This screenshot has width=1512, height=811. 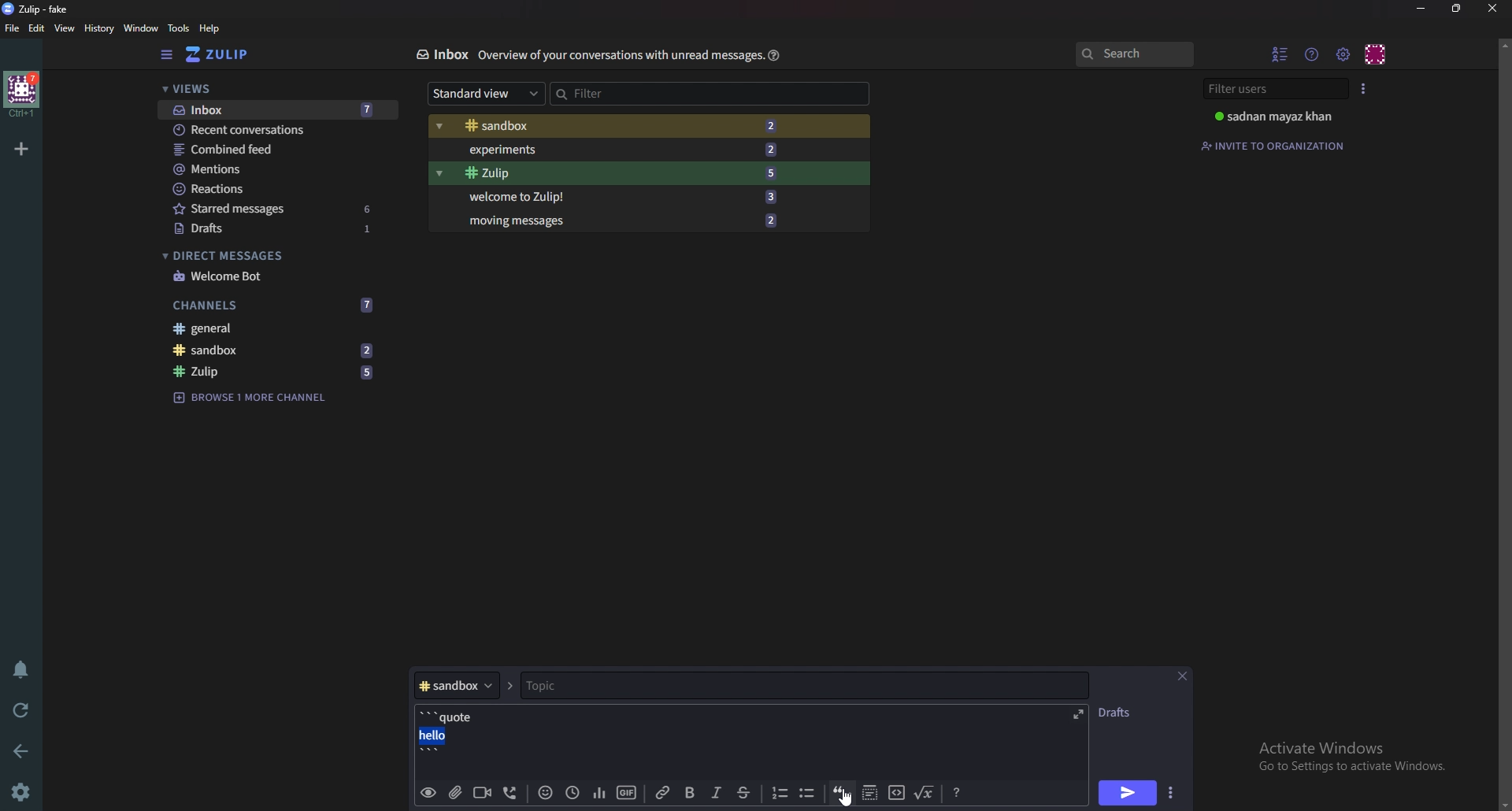 What do you see at coordinates (1280, 52) in the screenshot?
I see `Hide user list` at bounding box center [1280, 52].